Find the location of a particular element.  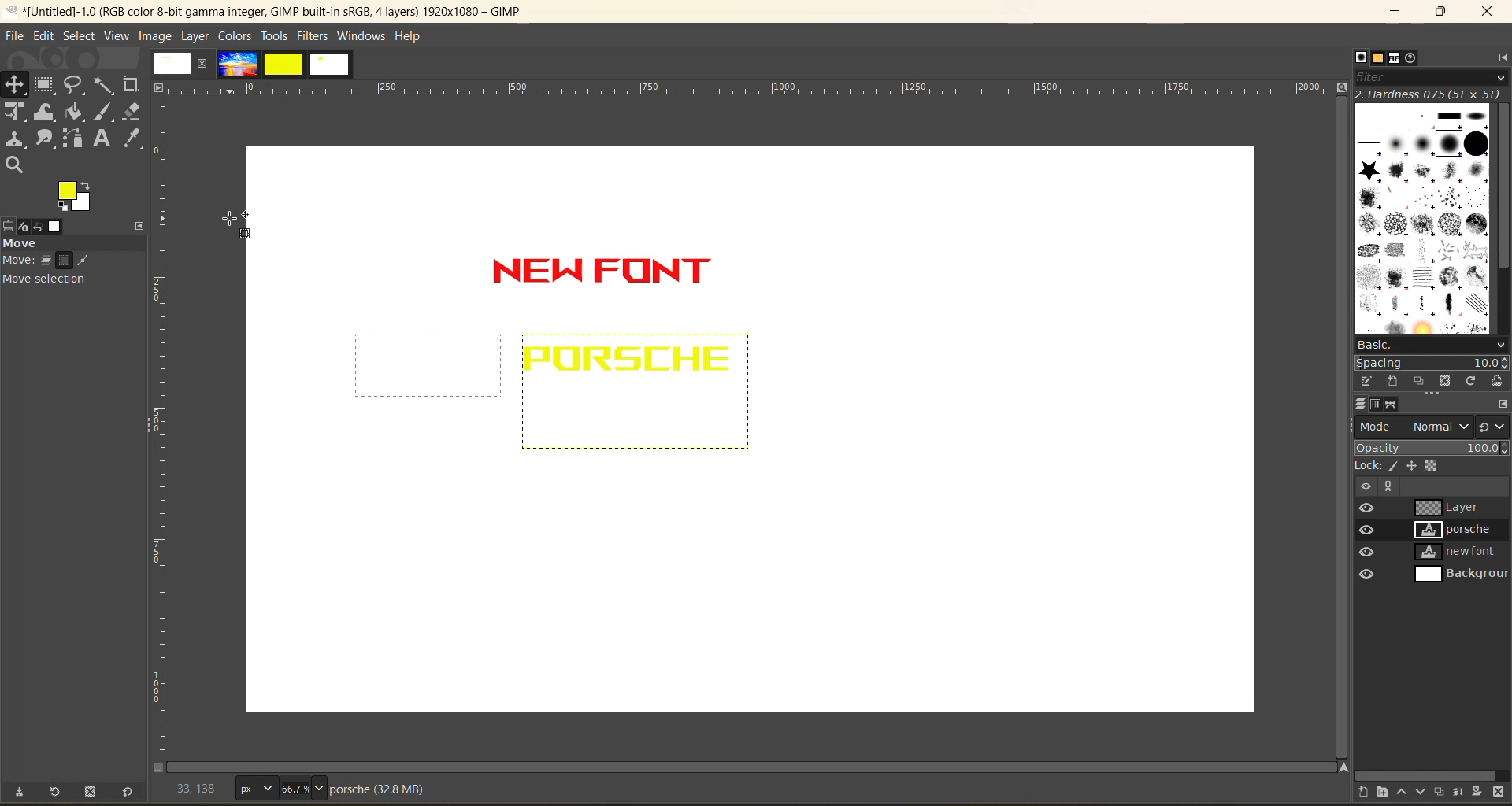

help is located at coordinates (409, 38).